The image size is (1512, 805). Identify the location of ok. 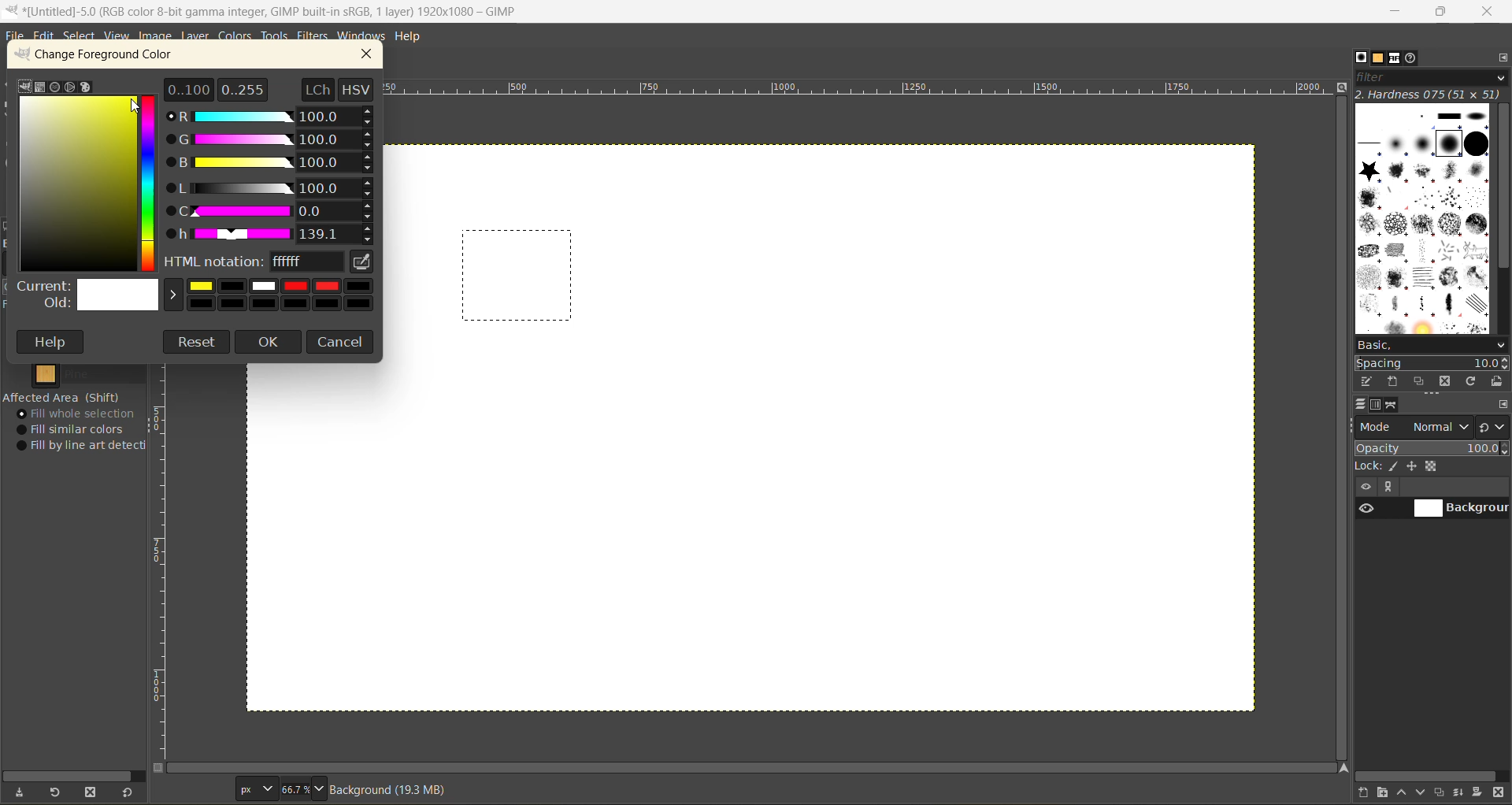
(269, 343).